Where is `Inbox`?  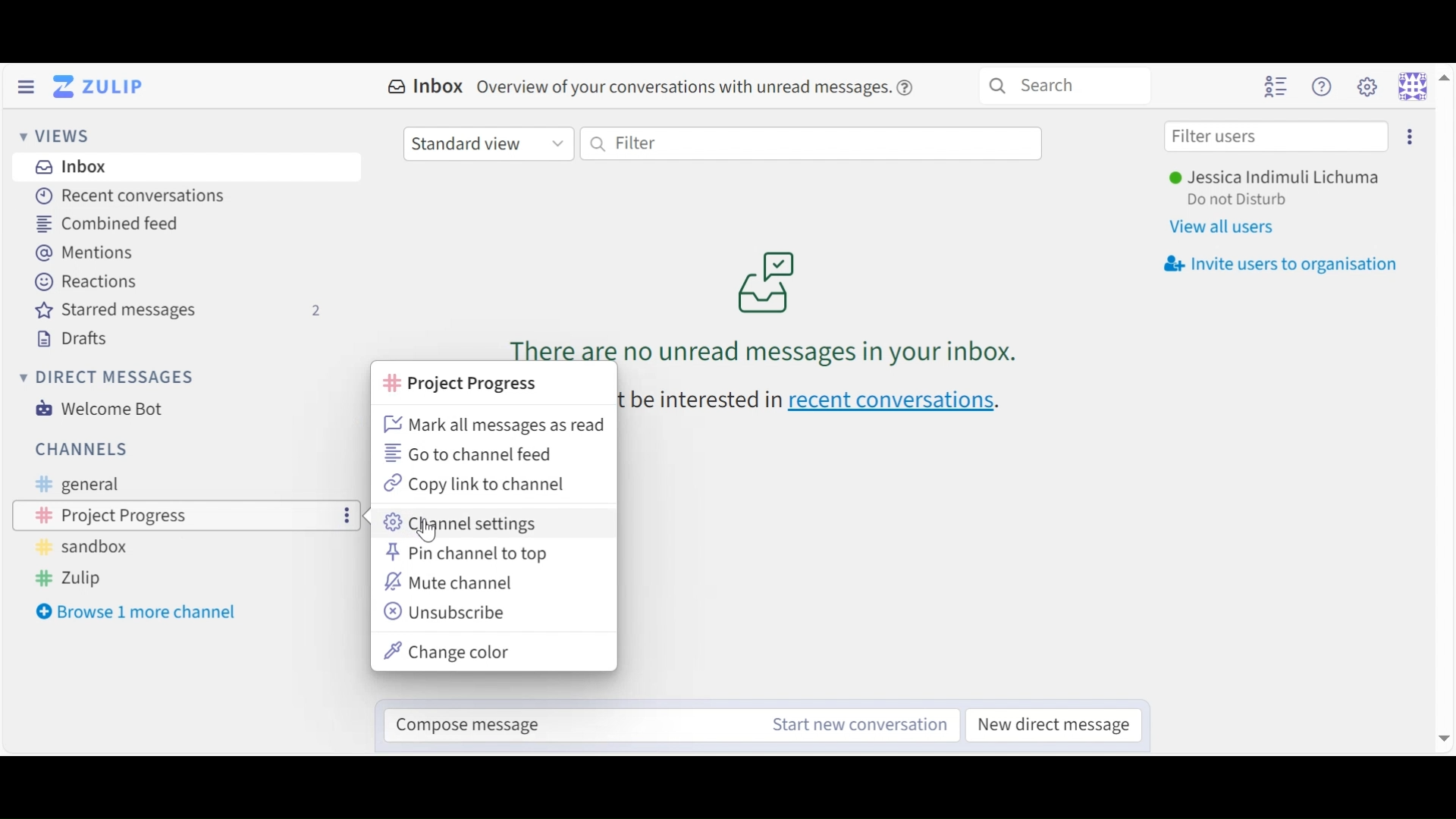
Inbox is located at coordinates (428, 87).